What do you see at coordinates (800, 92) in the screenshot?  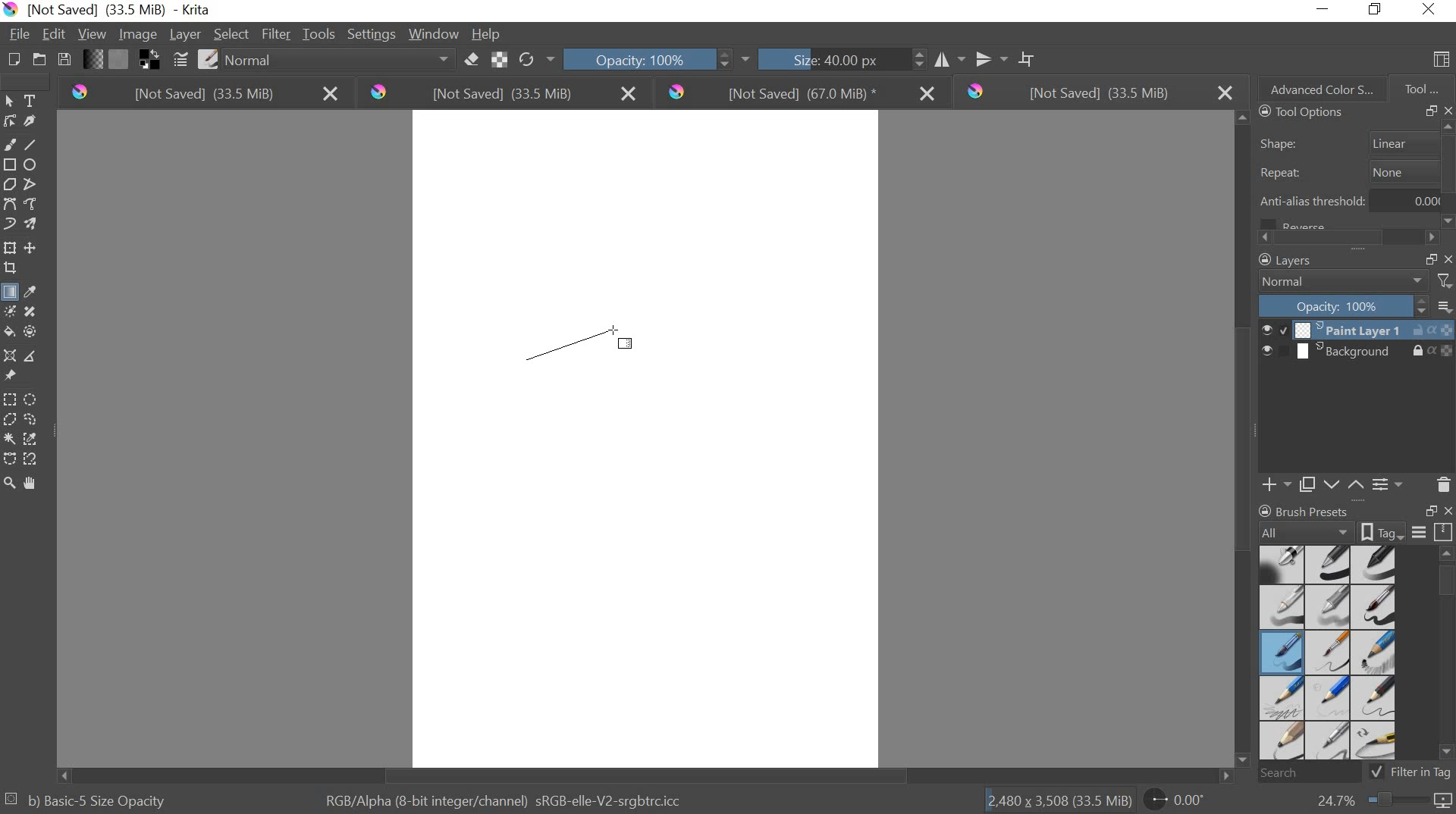 I see `[not saved] (67.0 mb)` at bounding box center [800, 92].